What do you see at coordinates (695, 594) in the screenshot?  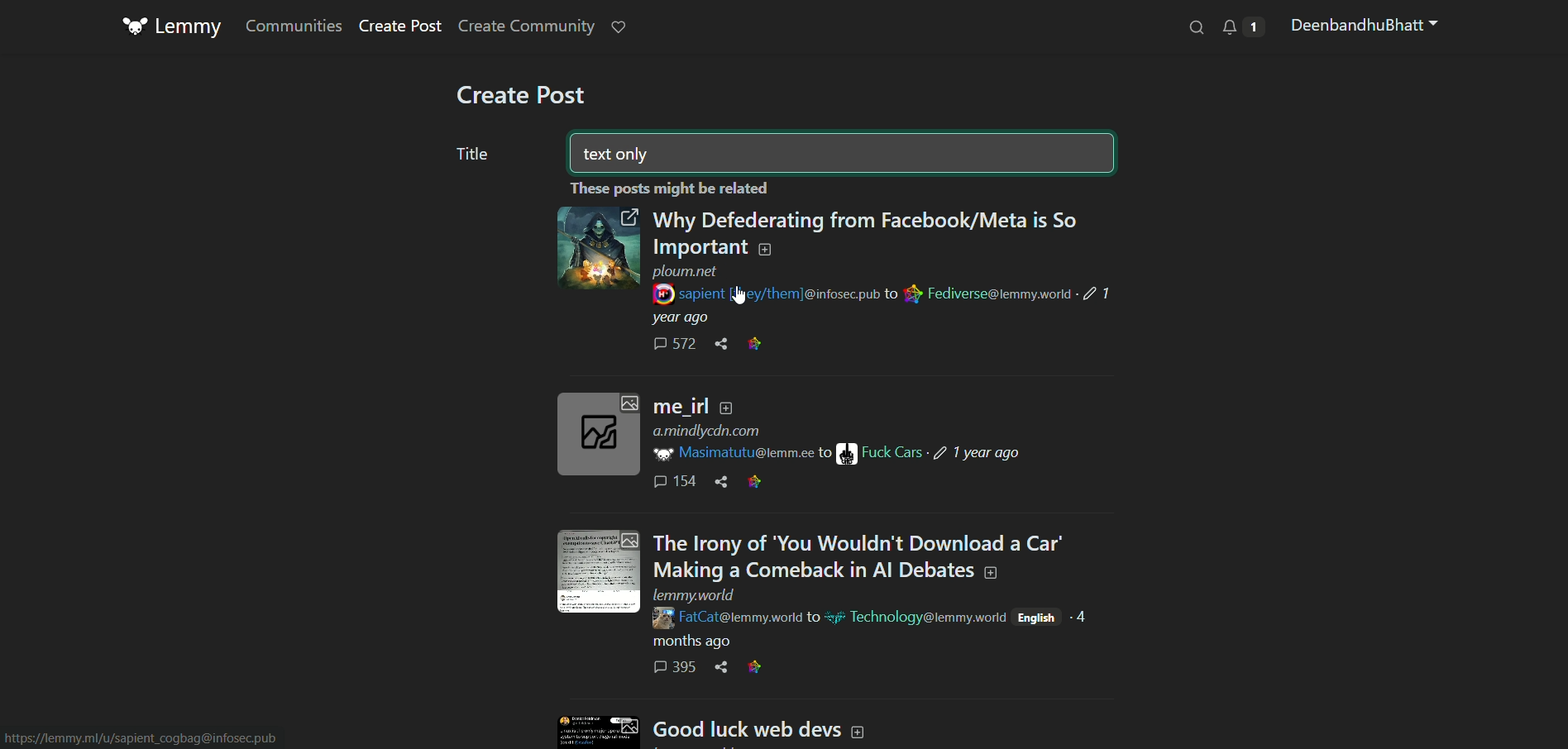 I see `Link to lemmy.world` at bounding box center [695, 594].